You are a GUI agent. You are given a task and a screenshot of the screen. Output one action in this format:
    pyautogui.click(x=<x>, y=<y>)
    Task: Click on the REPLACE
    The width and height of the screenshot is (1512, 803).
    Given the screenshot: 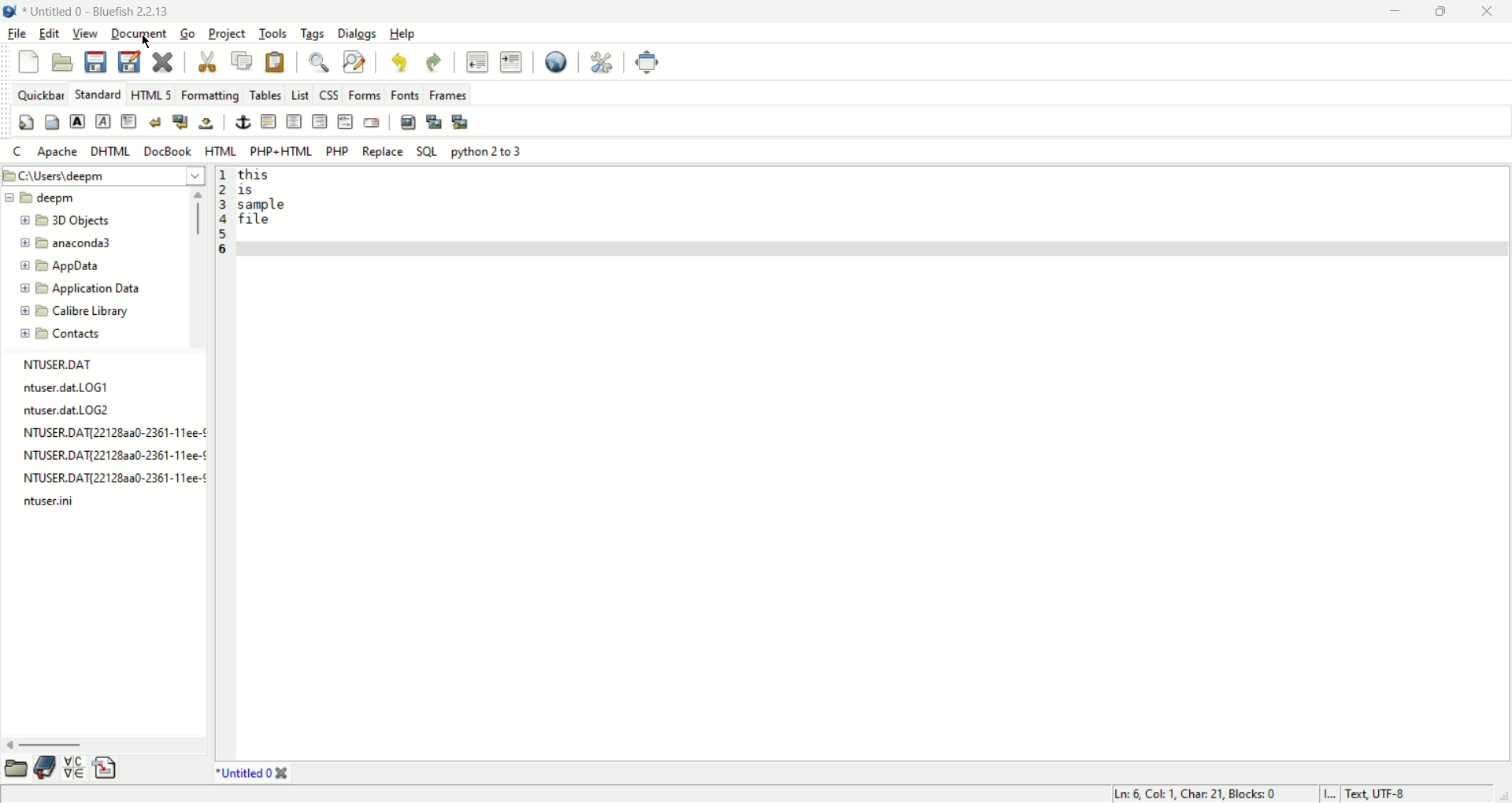 What is the action you would take?
    pyautogui.click(x=383, y=152)
    